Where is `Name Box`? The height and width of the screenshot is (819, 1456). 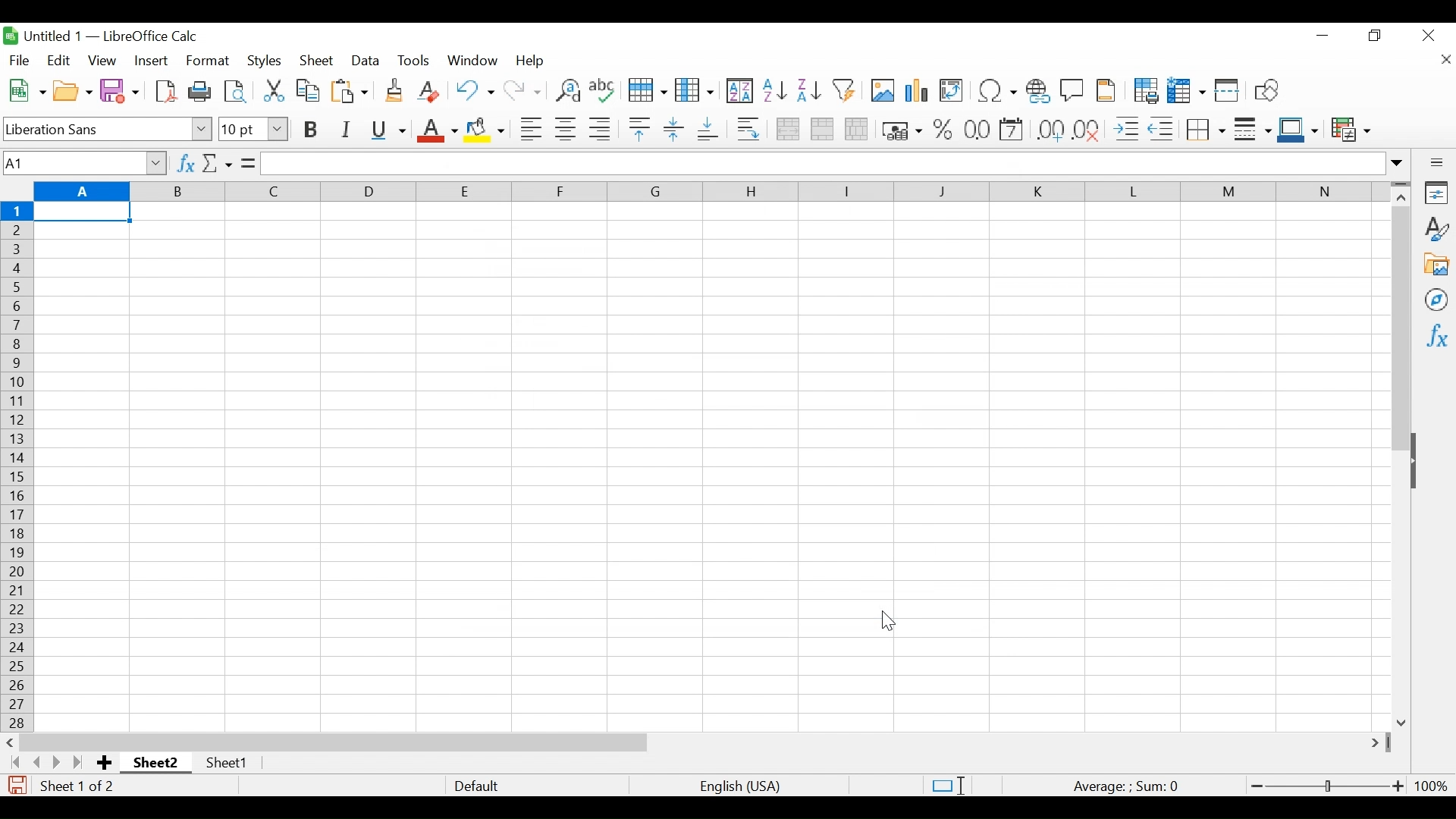
Name Box is located at coordinates (83, 162).